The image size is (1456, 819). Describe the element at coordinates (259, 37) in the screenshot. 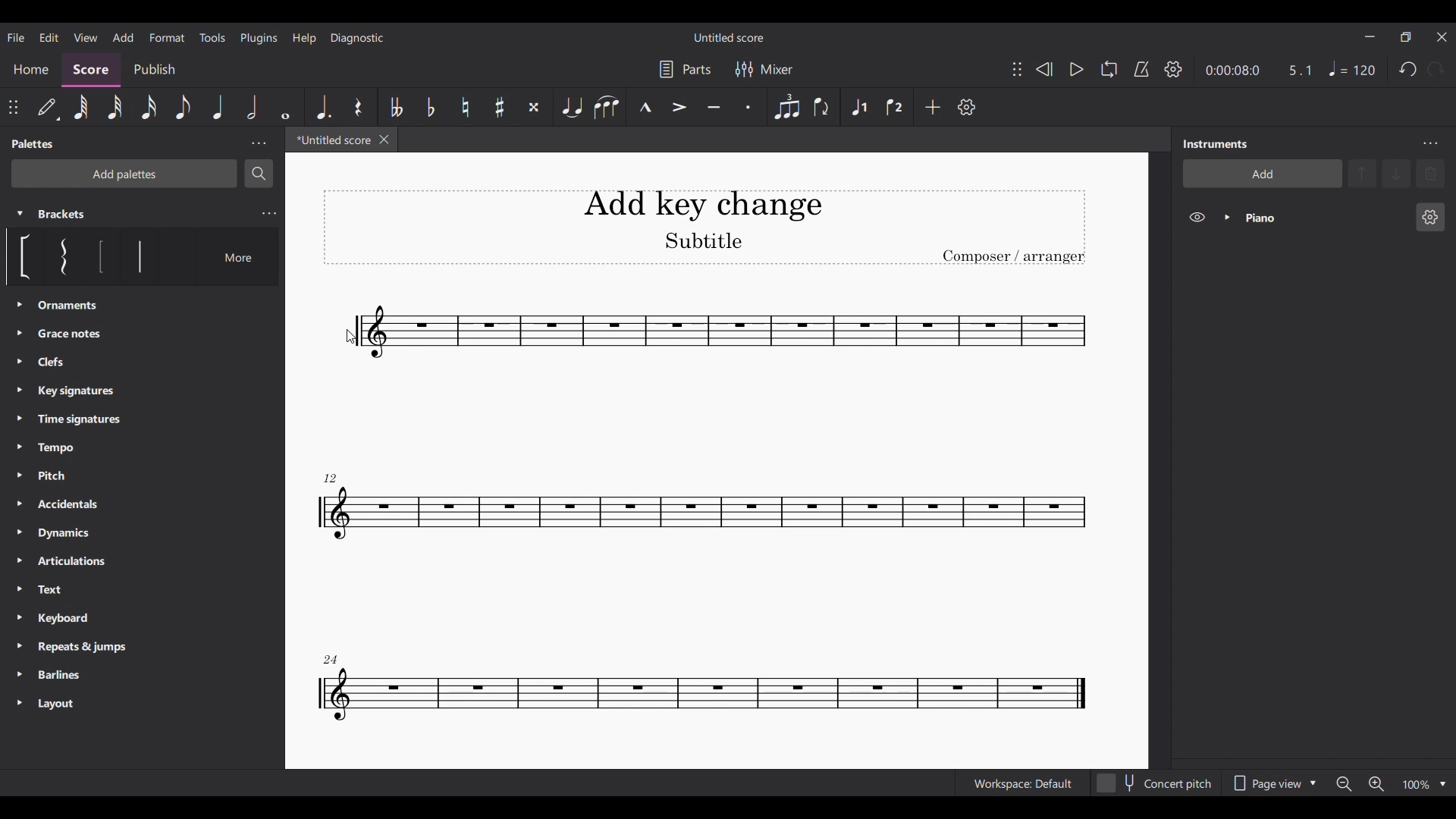

I see `Plugins menu` at that location.